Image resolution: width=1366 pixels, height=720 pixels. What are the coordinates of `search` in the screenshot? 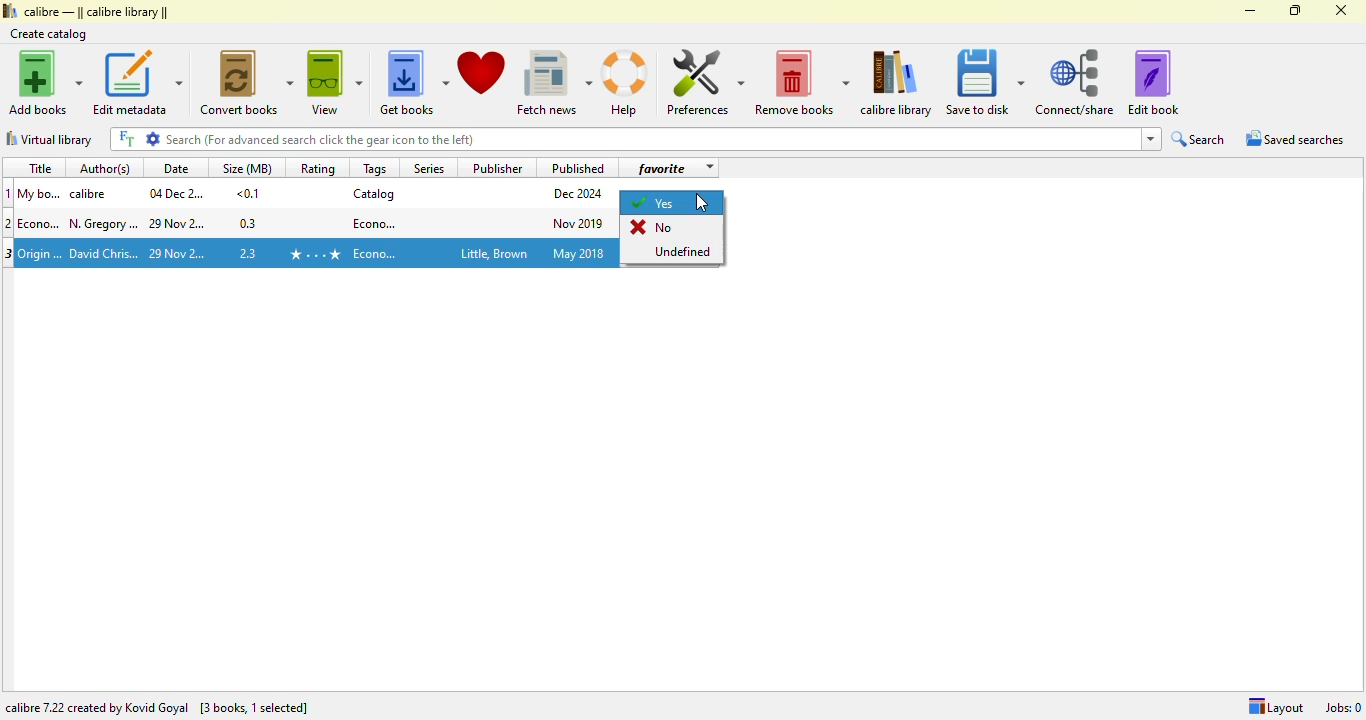 It's located at (1199, 139).